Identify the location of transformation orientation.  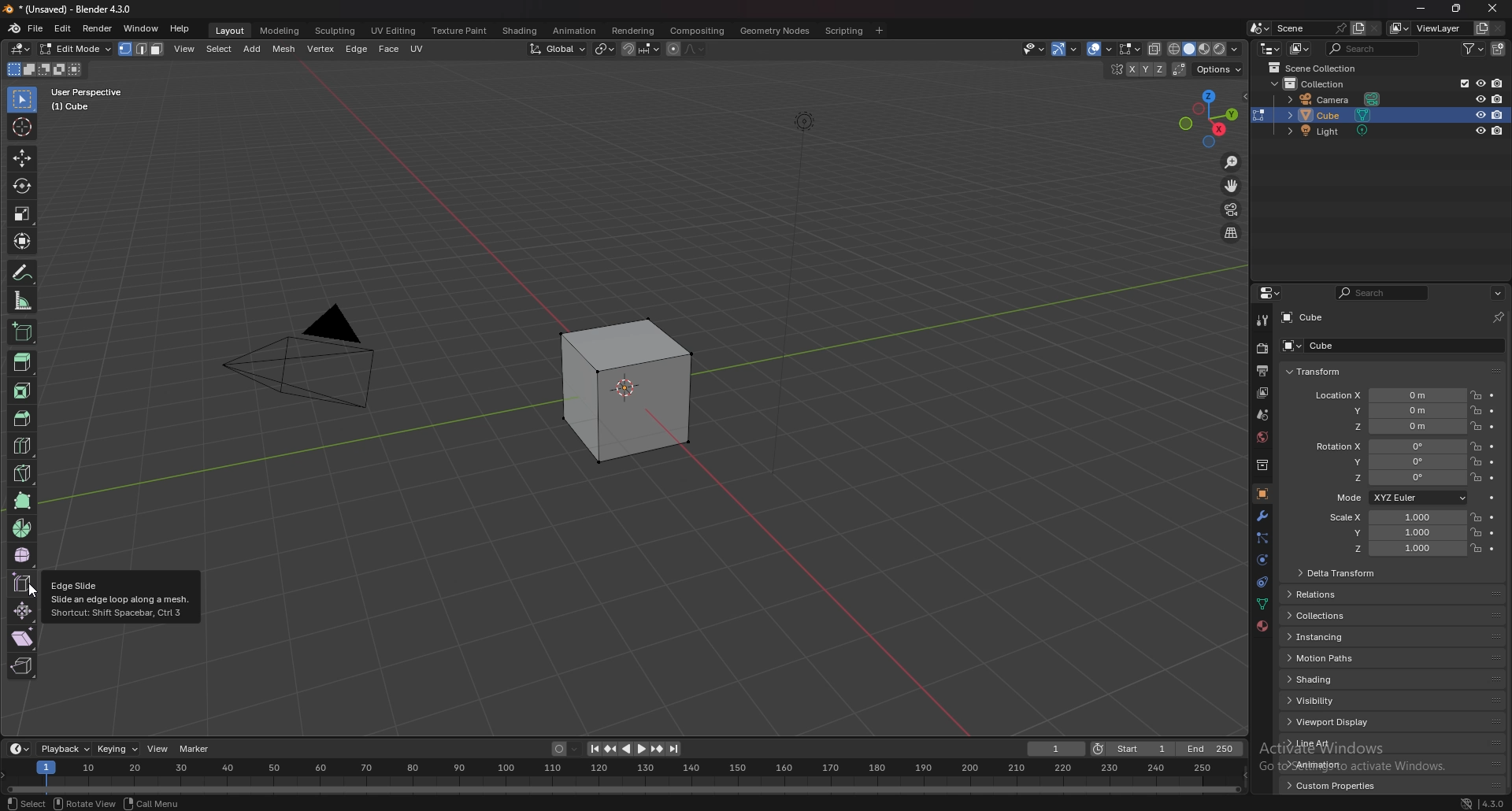
(558, 49).